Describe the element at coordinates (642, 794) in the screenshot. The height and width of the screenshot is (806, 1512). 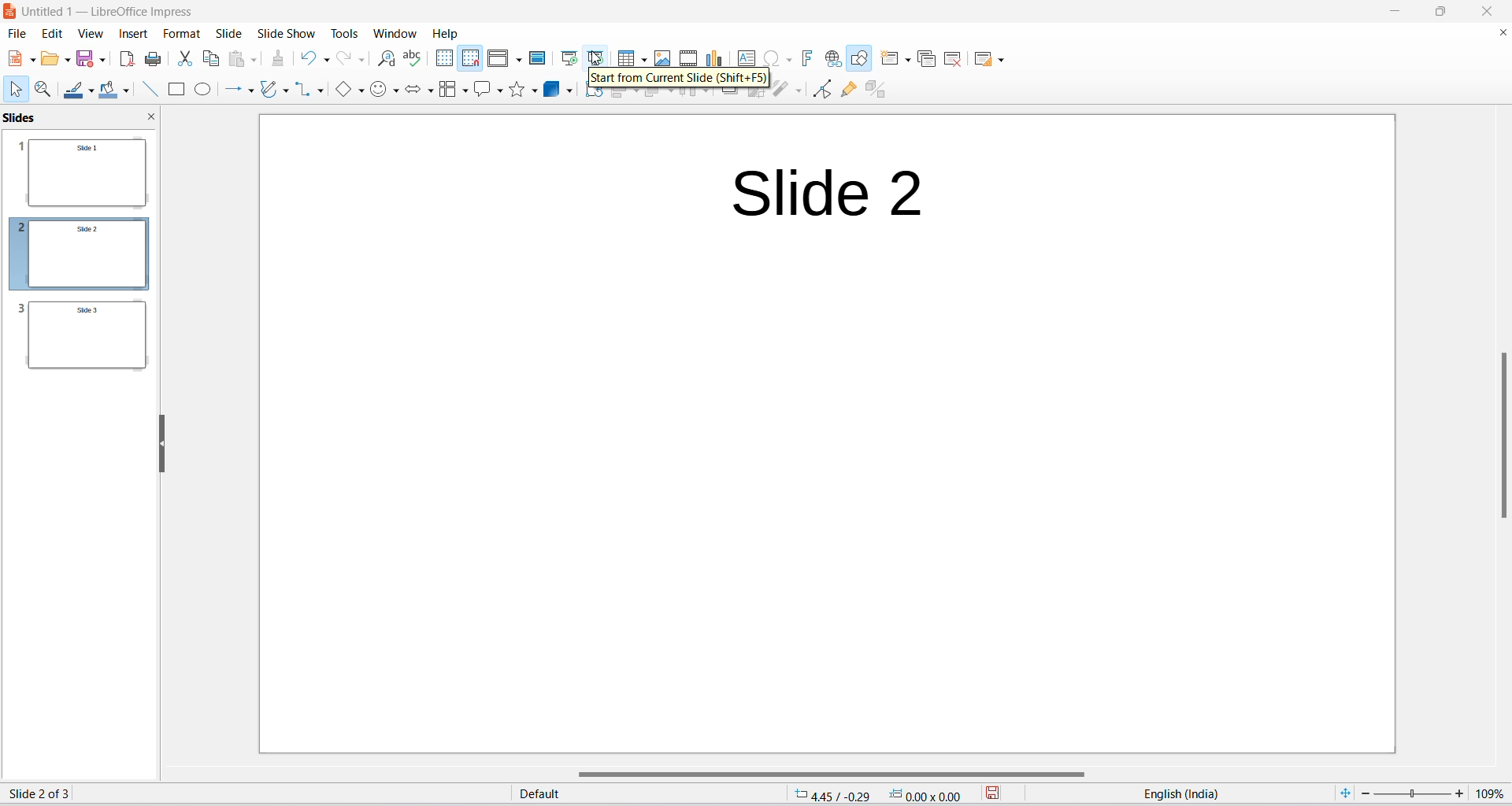
I see `slide master type` at that location.